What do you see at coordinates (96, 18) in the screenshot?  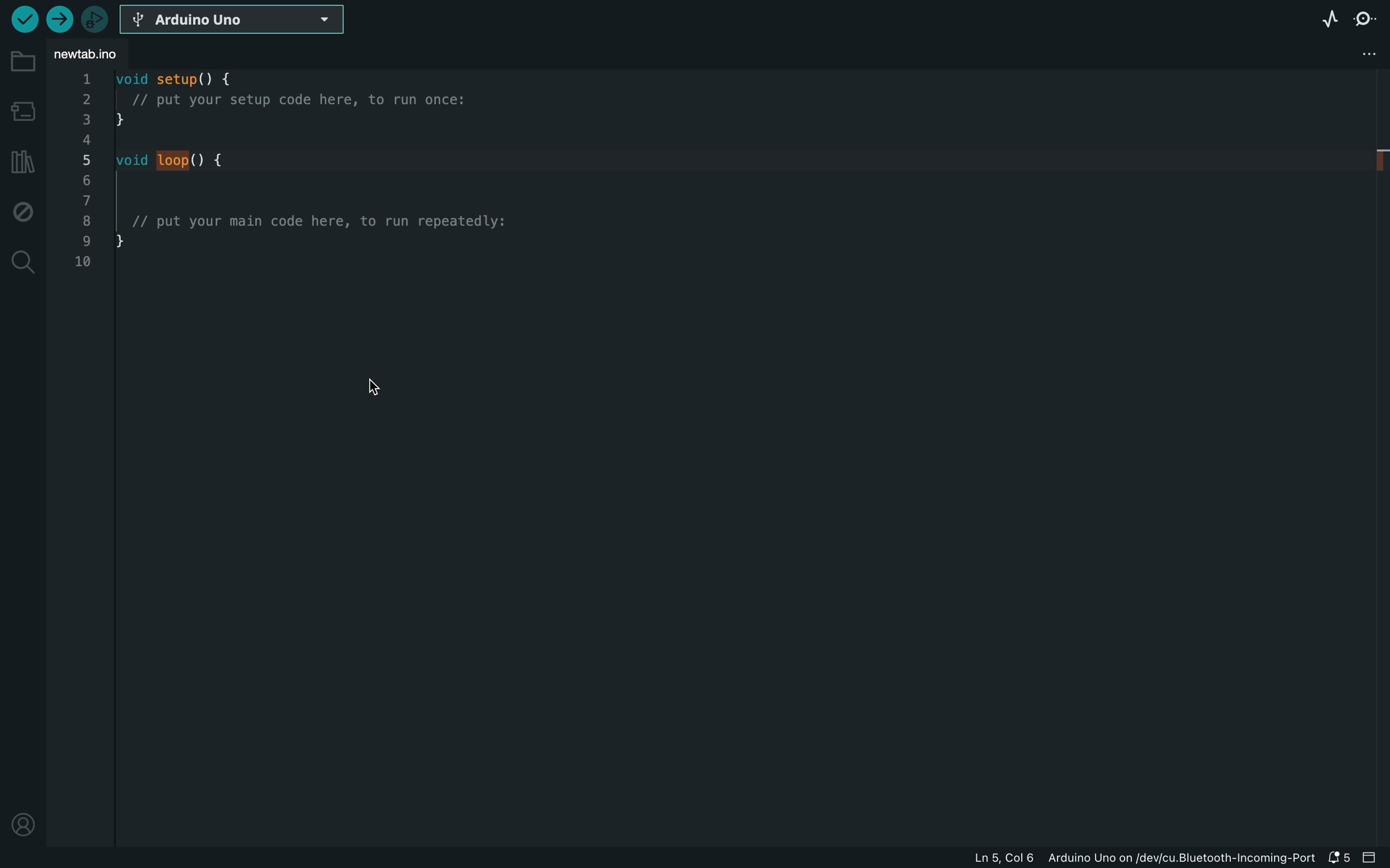 I see `debugger` at bounding box center [96, 18].